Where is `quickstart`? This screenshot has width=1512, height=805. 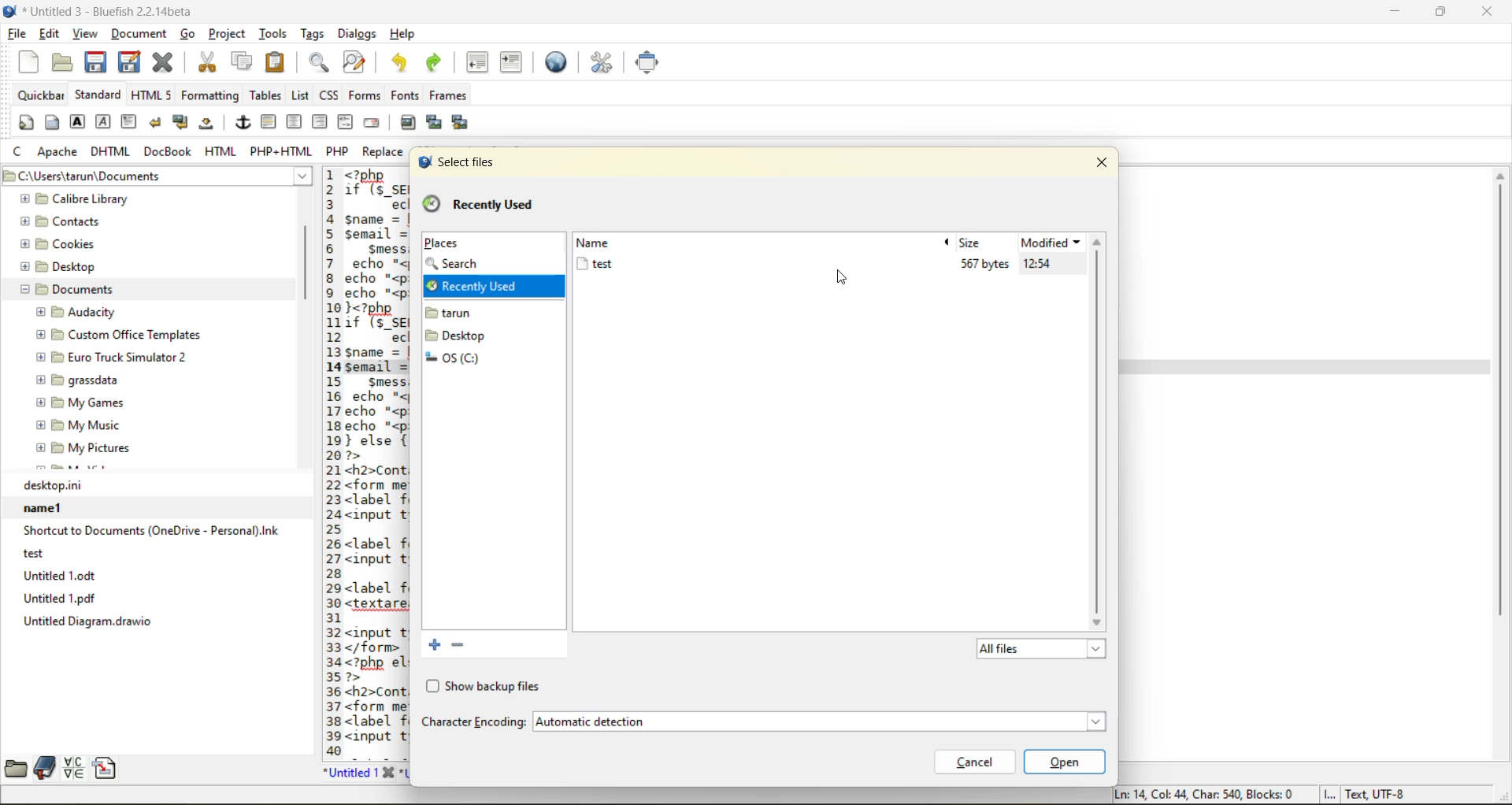
quickstart is located at coordinates (24, 124).